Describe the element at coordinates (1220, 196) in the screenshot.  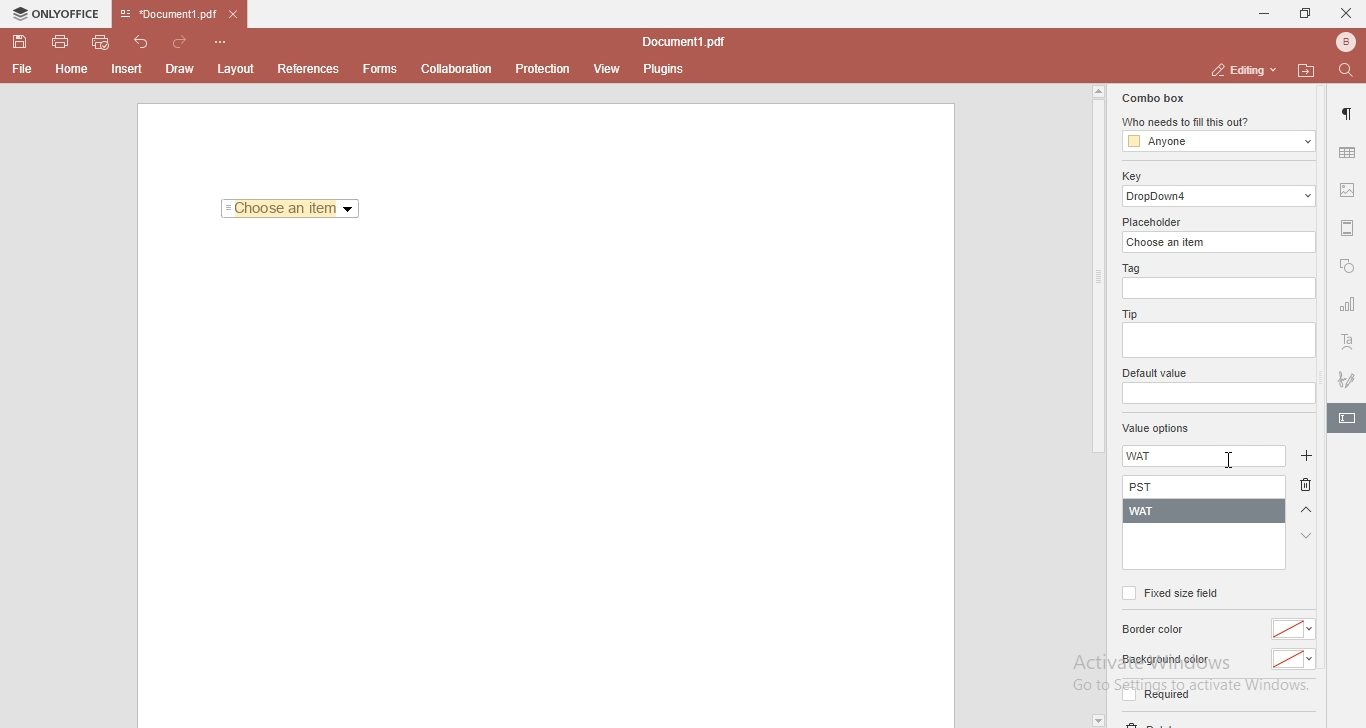
I see `dropdown 4` at that location.